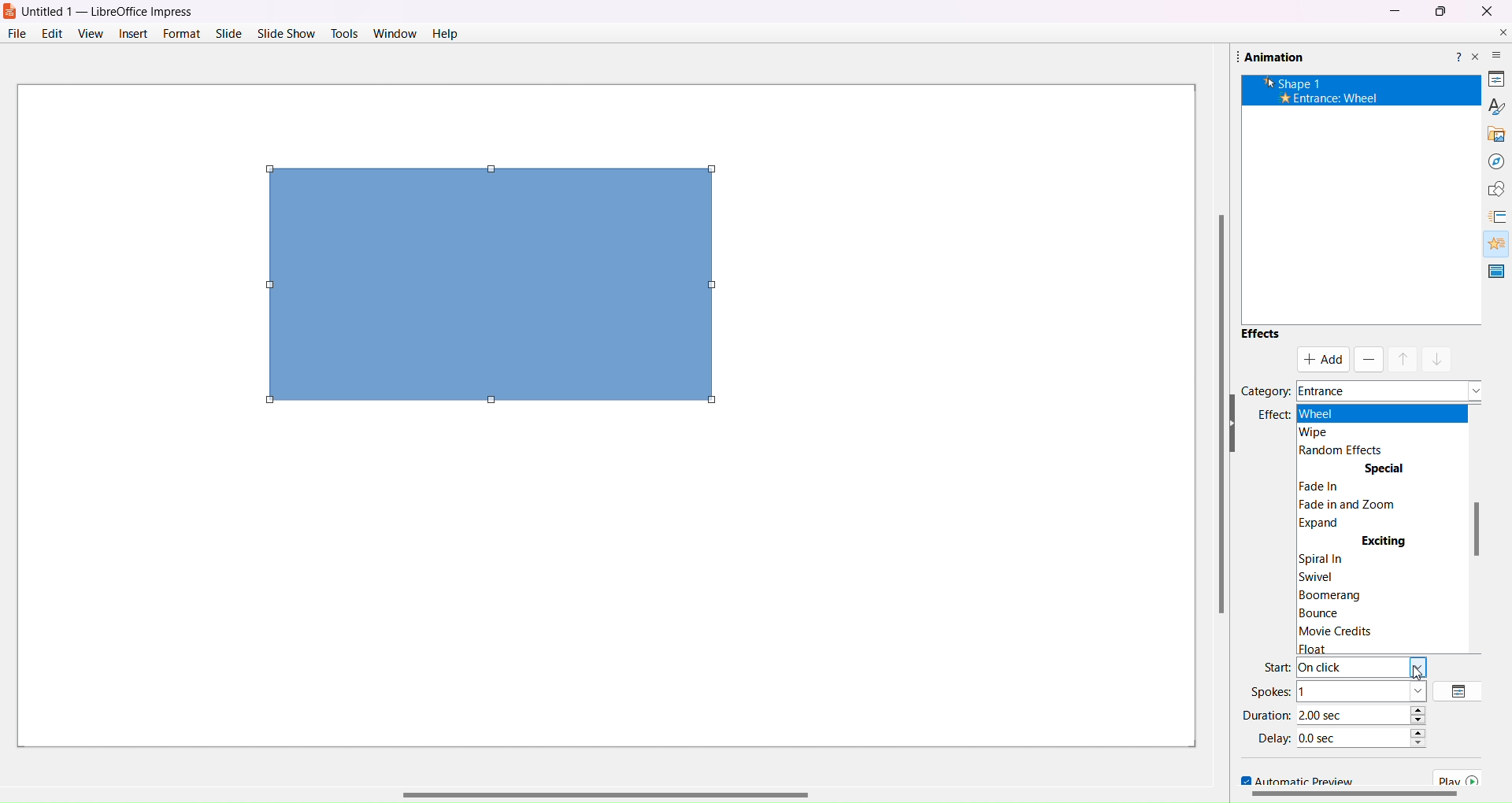 The height and width of the screenshot is (803, 1512). I want to click on Maximize, so click(1440, 12).